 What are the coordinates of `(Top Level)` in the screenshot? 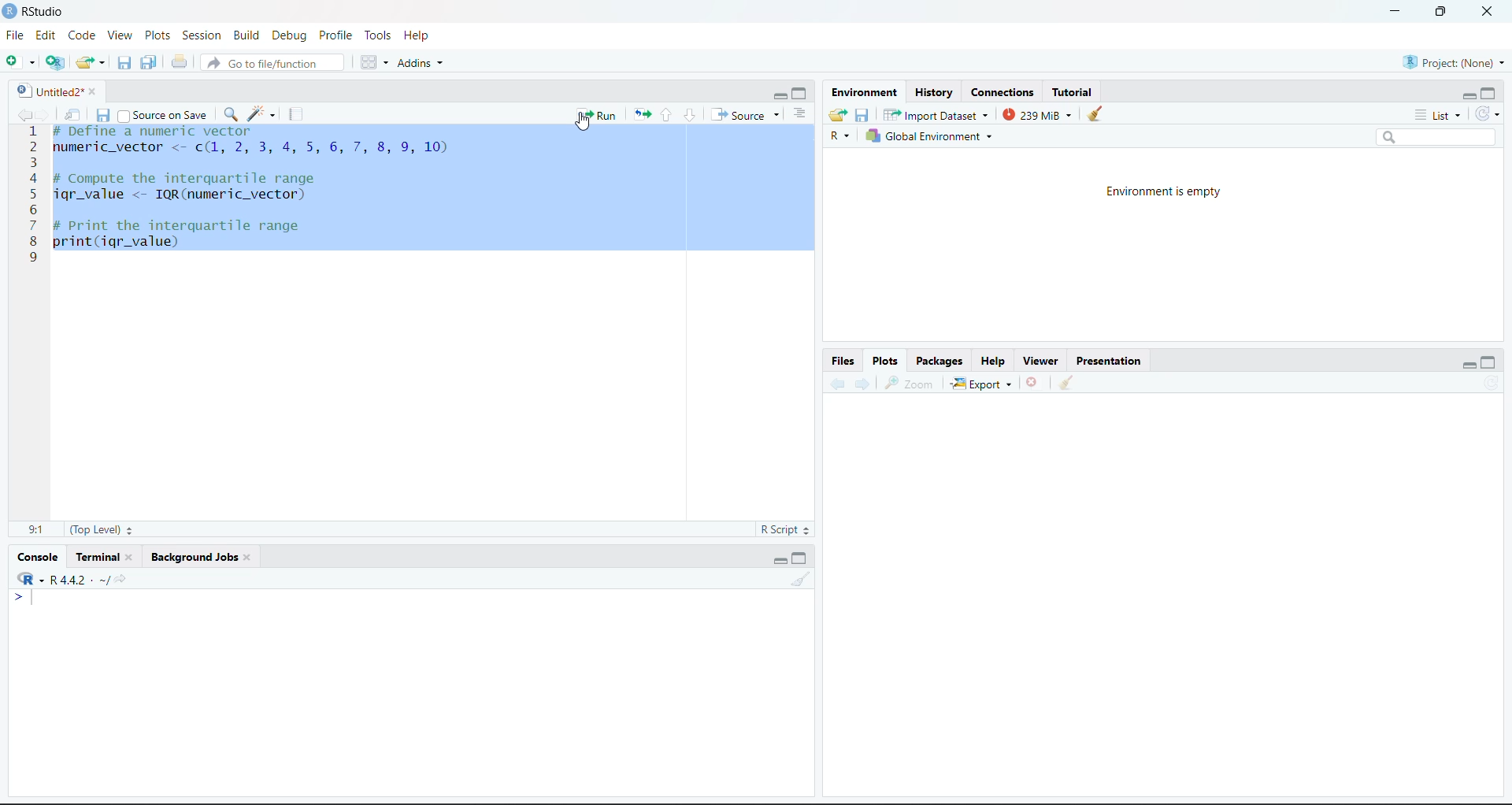 It's located at (103, 529).